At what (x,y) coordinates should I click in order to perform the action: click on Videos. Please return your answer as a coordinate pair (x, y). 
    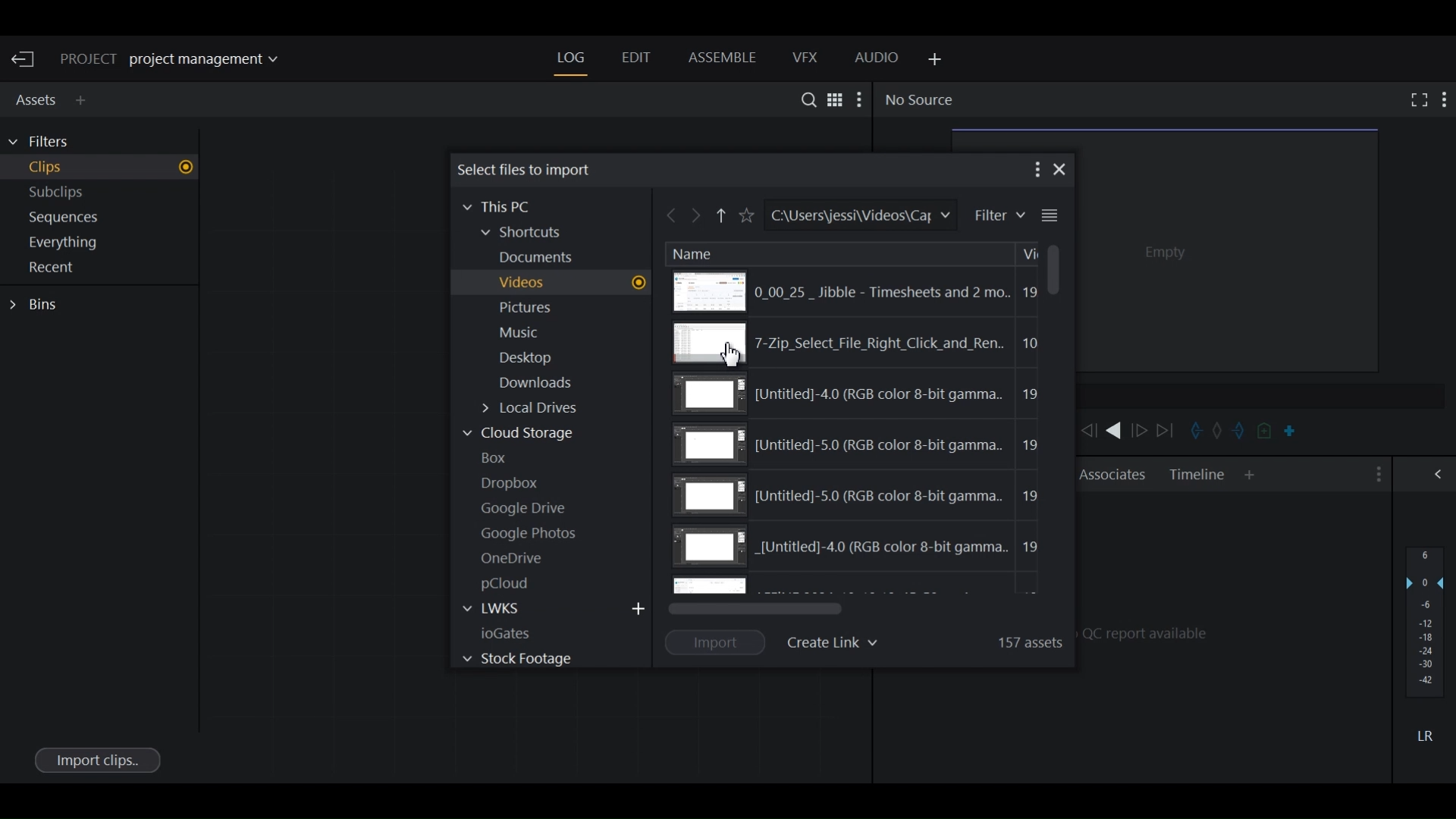
    Looking at the image, I should click on (570, 283).